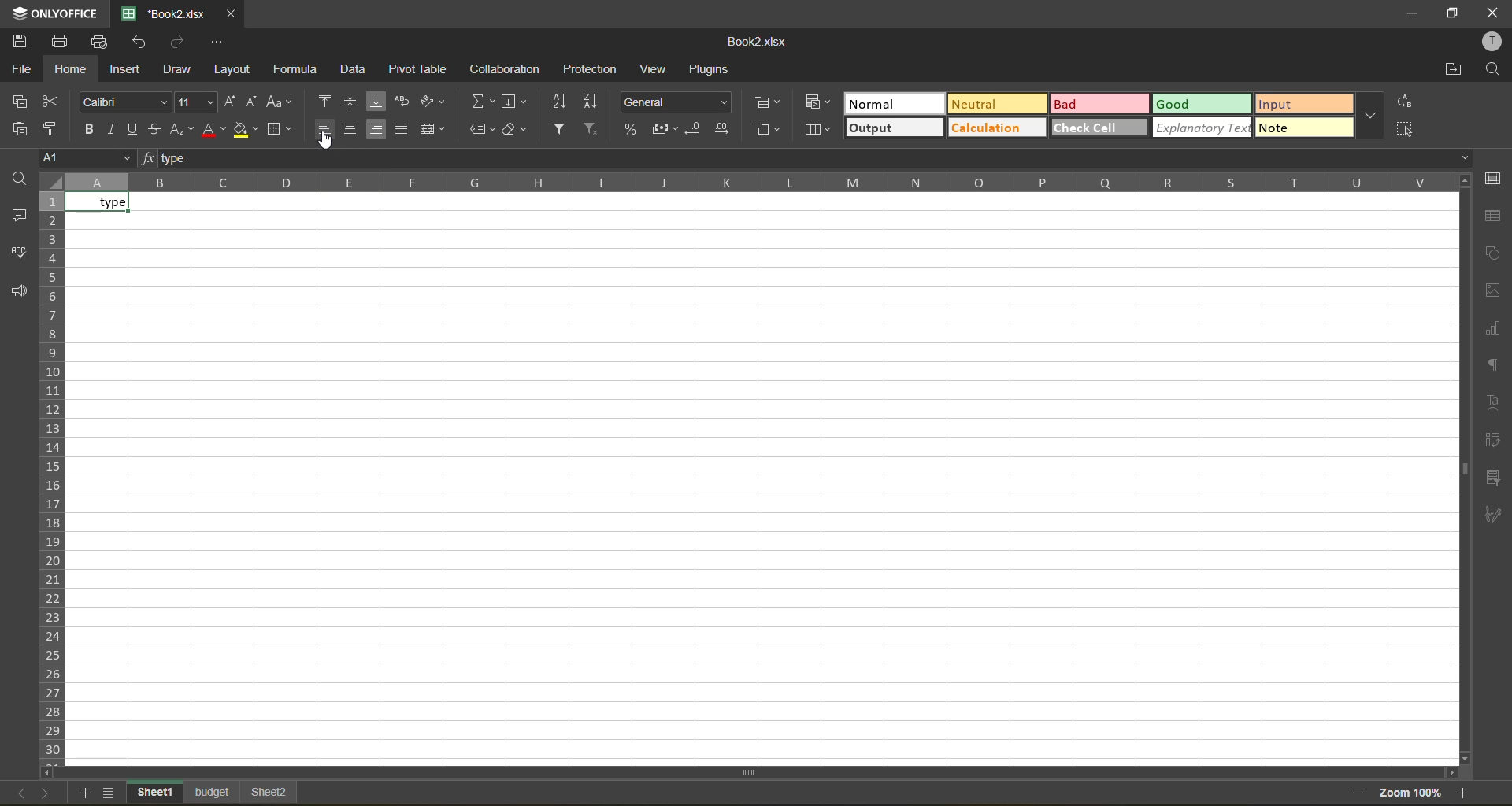 This screenshot has height=806, width=1512. Describe the element at coordinates (50, 13) in the screenshot. I see `app name` at that location.